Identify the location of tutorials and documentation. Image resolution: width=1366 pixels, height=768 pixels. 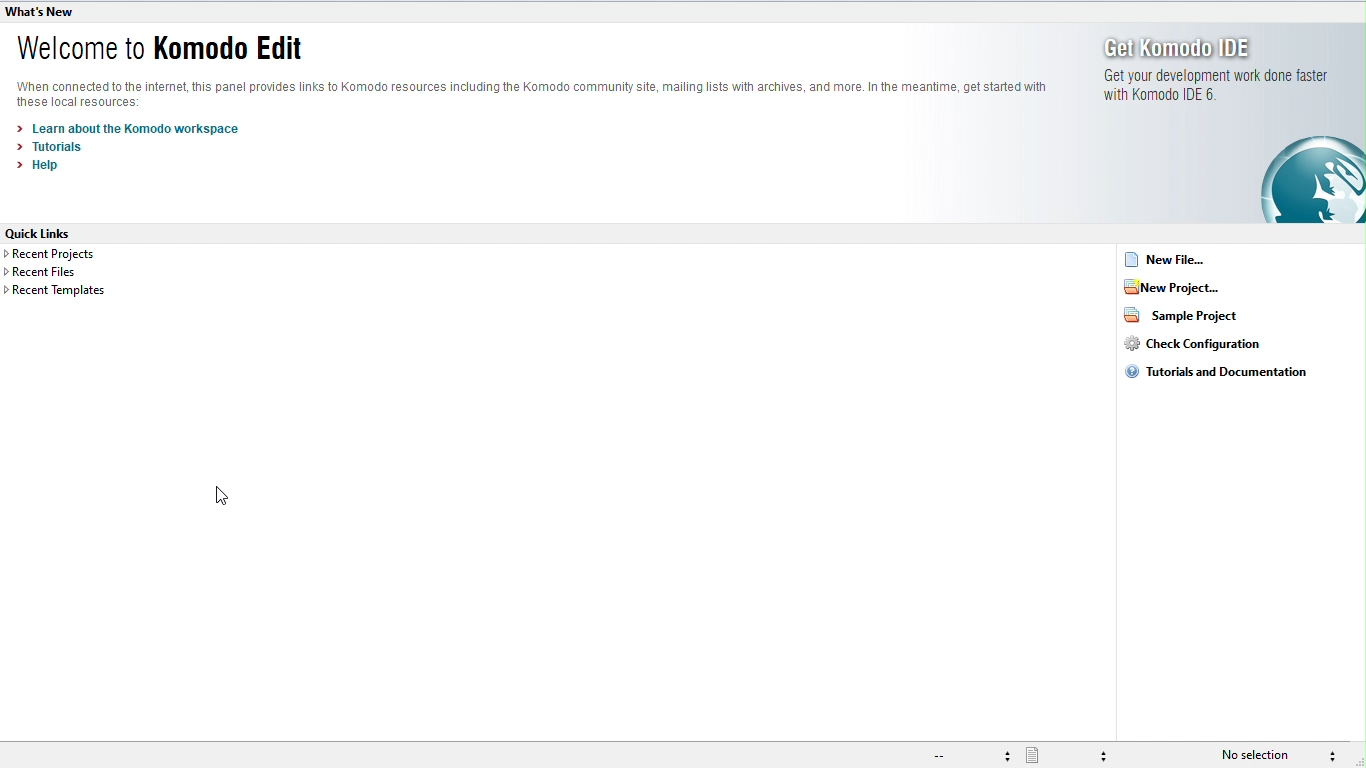
(1217, 374).